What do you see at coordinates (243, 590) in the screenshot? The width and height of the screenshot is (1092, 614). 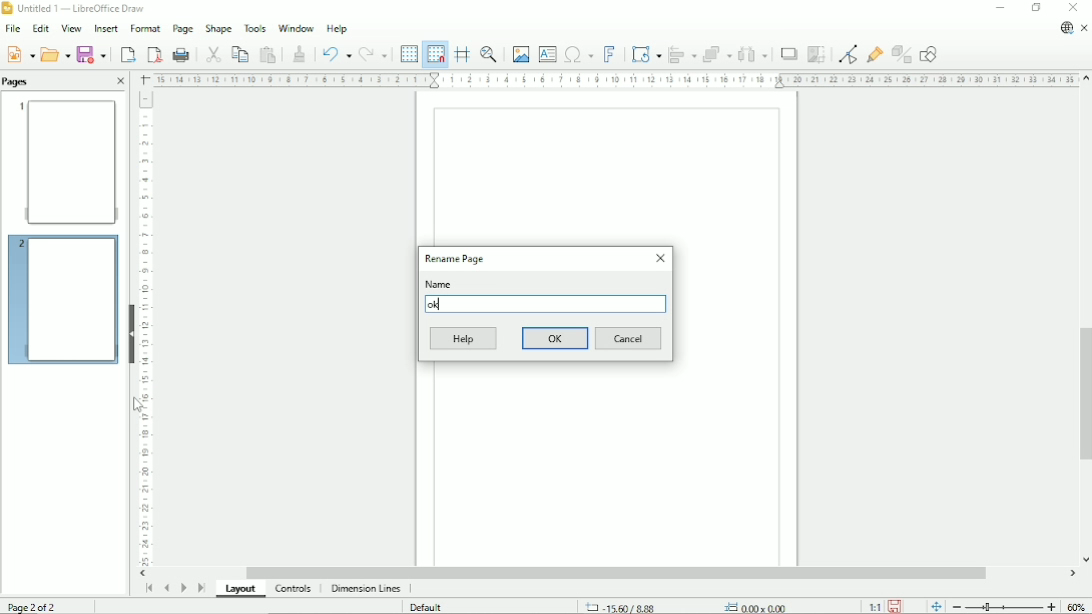 I see `Layout` at bounding box center [243, 590].